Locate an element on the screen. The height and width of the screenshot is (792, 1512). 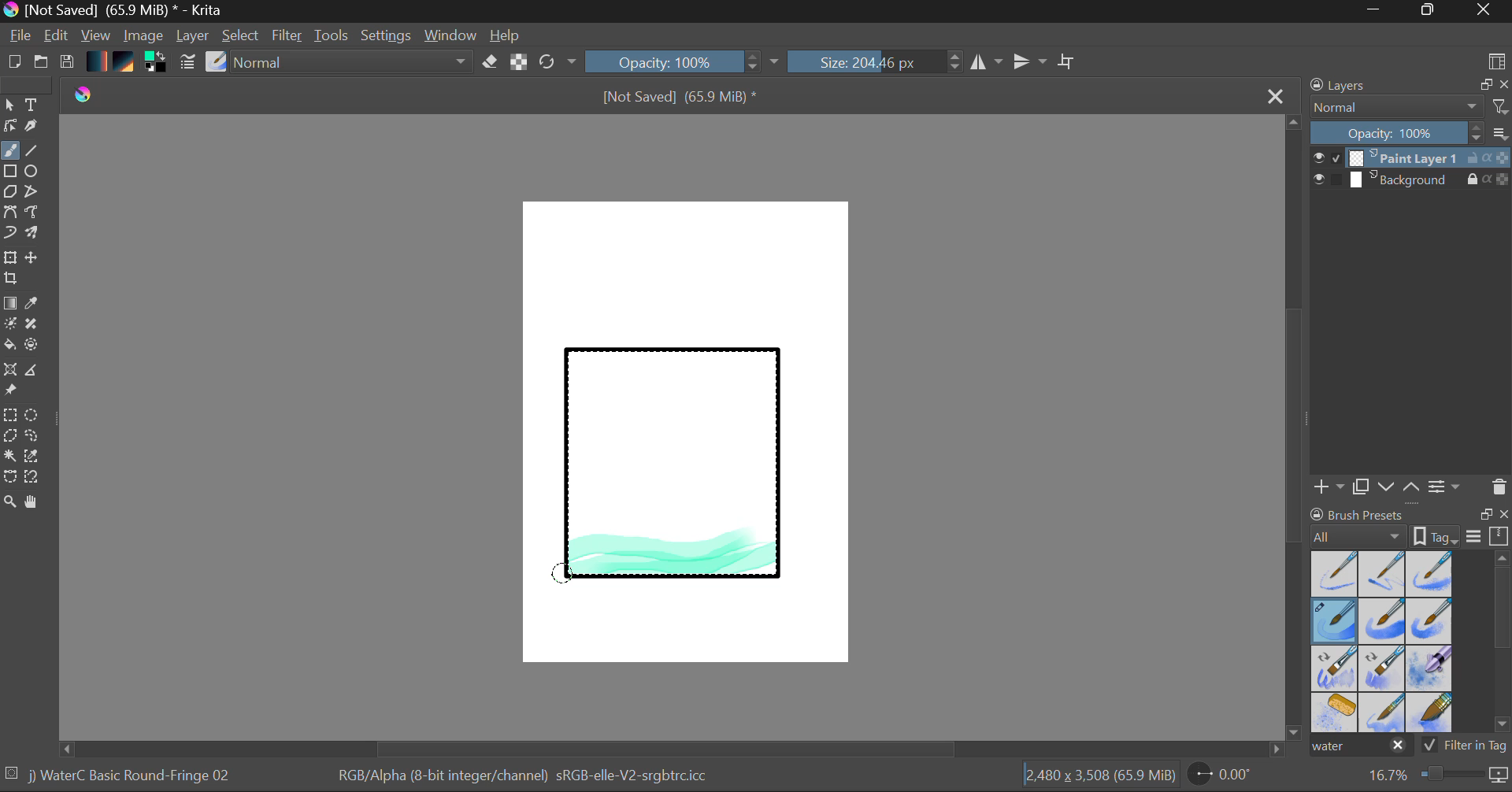
Open is located at coordinates (43, 64).